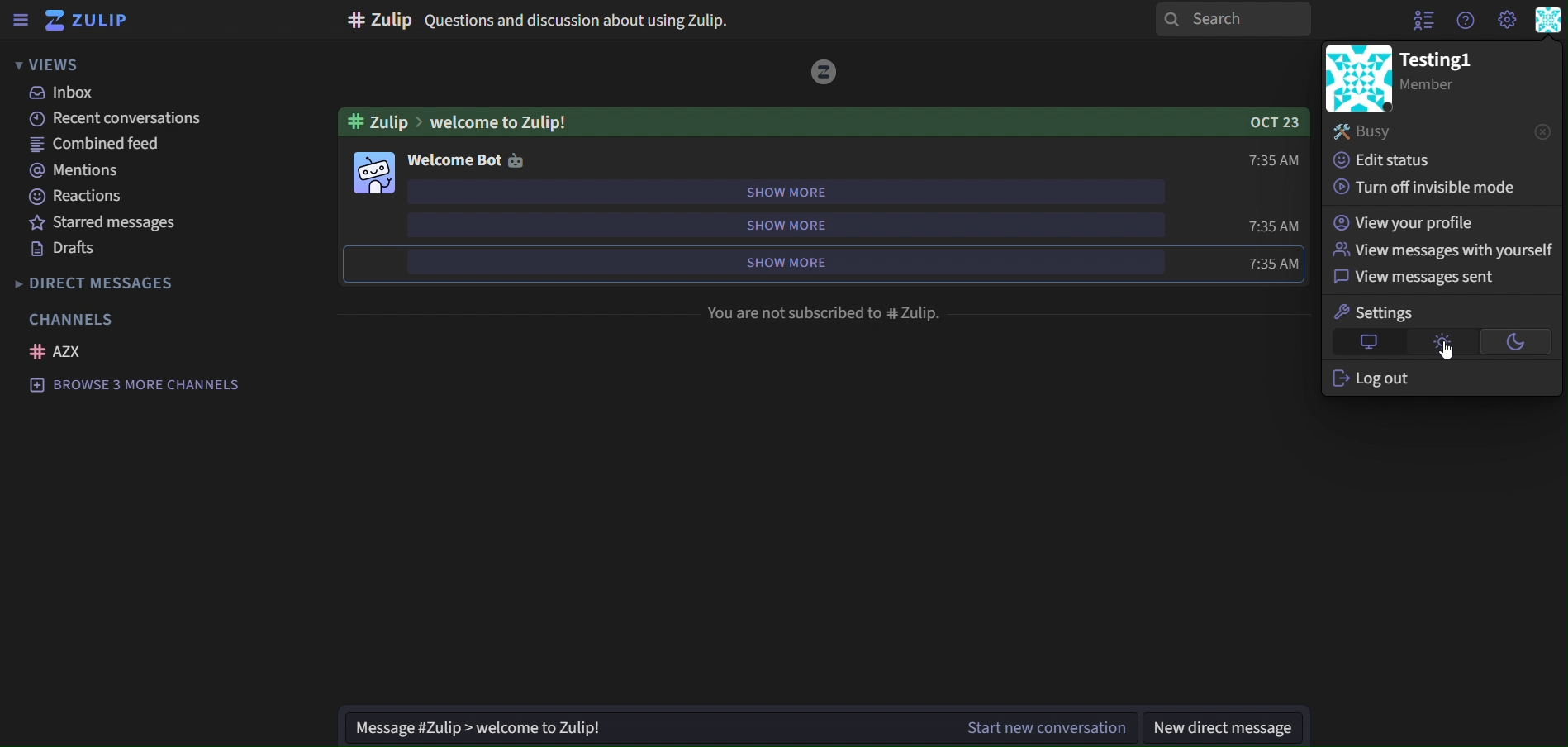 The height and width of the screenshot is (747, 1568). What do you see at coordinates (1440, 71) in the screenshot?
I see `testing1` at bounding box center [1440, 71].